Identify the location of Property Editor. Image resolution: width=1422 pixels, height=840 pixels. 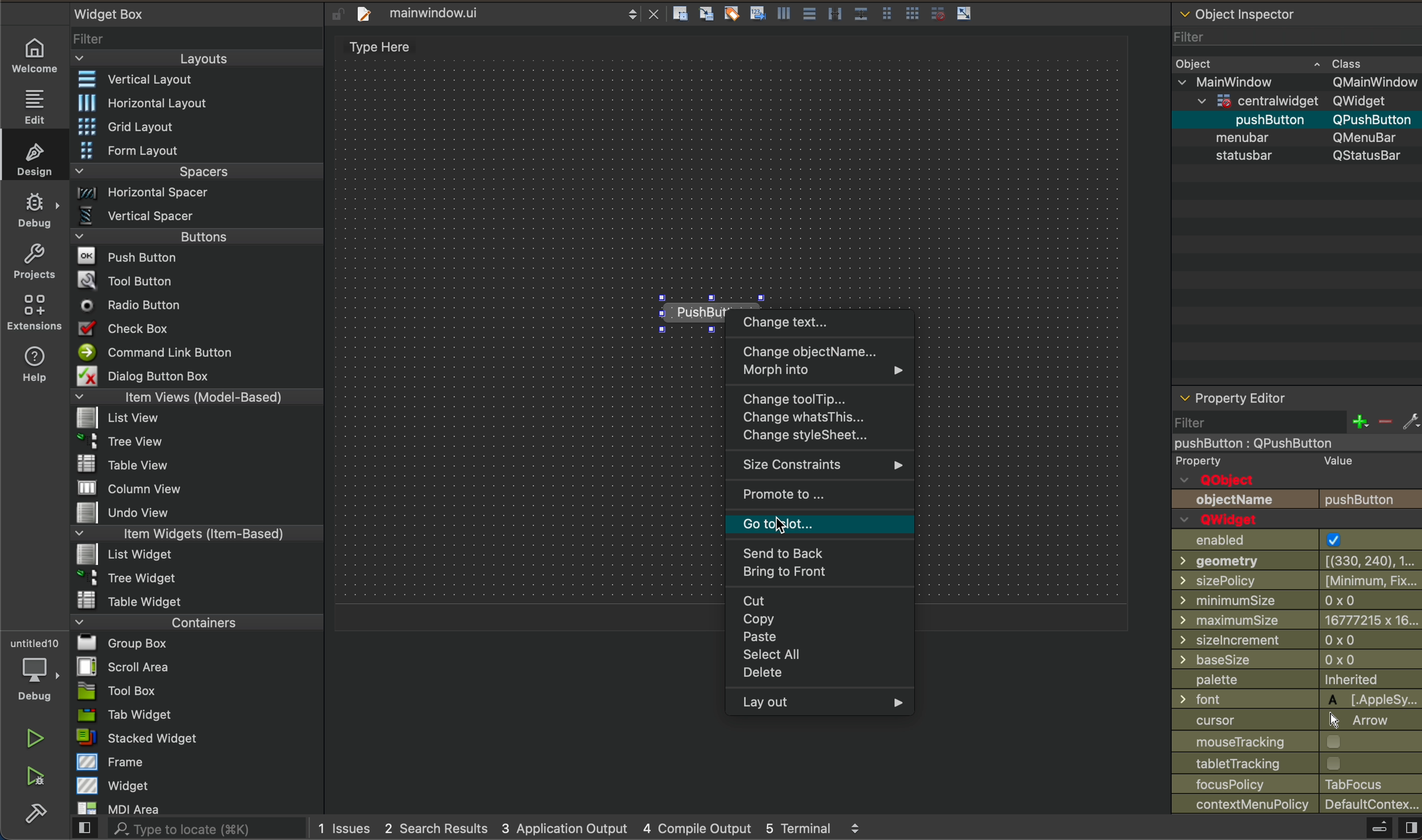
(1234, 397).